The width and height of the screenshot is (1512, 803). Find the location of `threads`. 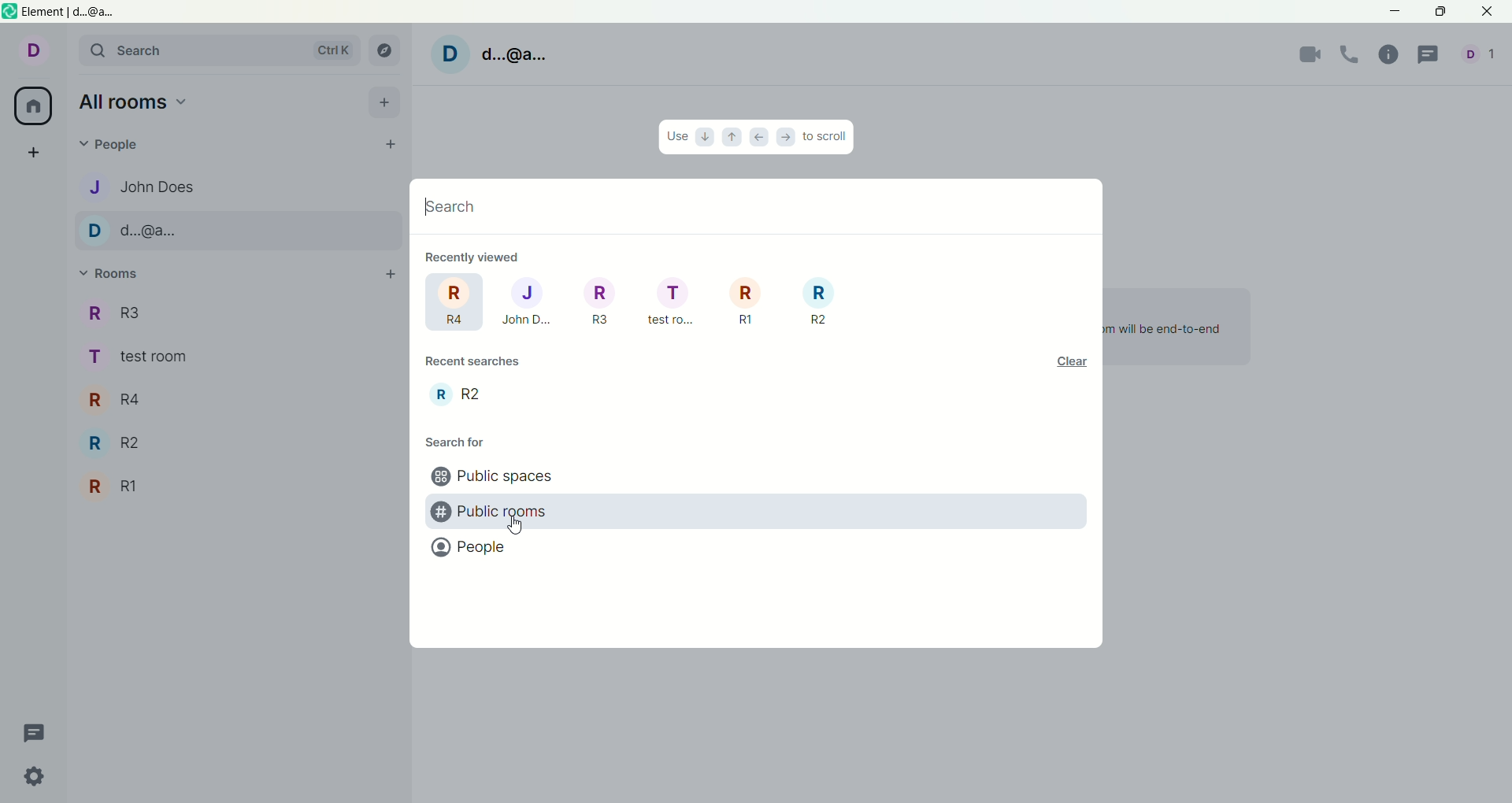

threads is located at coordinates (36, 734).